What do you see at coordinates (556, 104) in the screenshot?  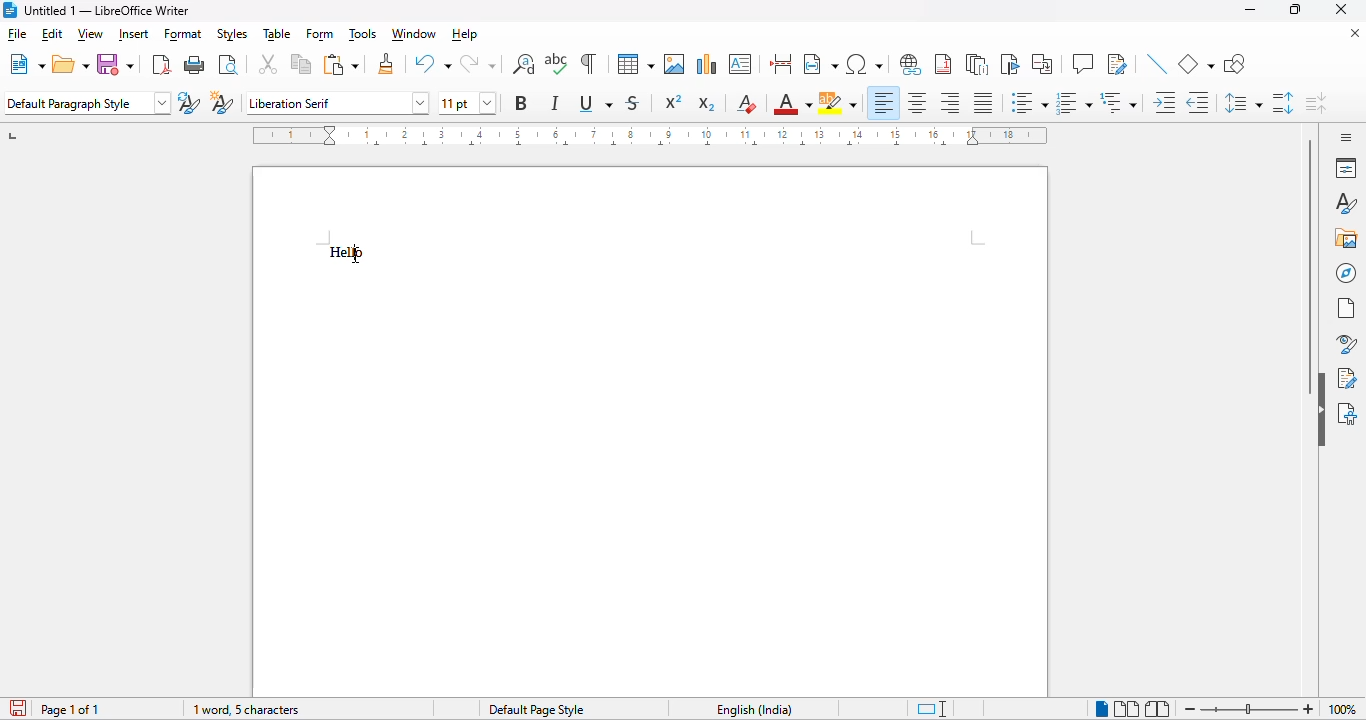 I see `italic` at bounding box center [556, 104].